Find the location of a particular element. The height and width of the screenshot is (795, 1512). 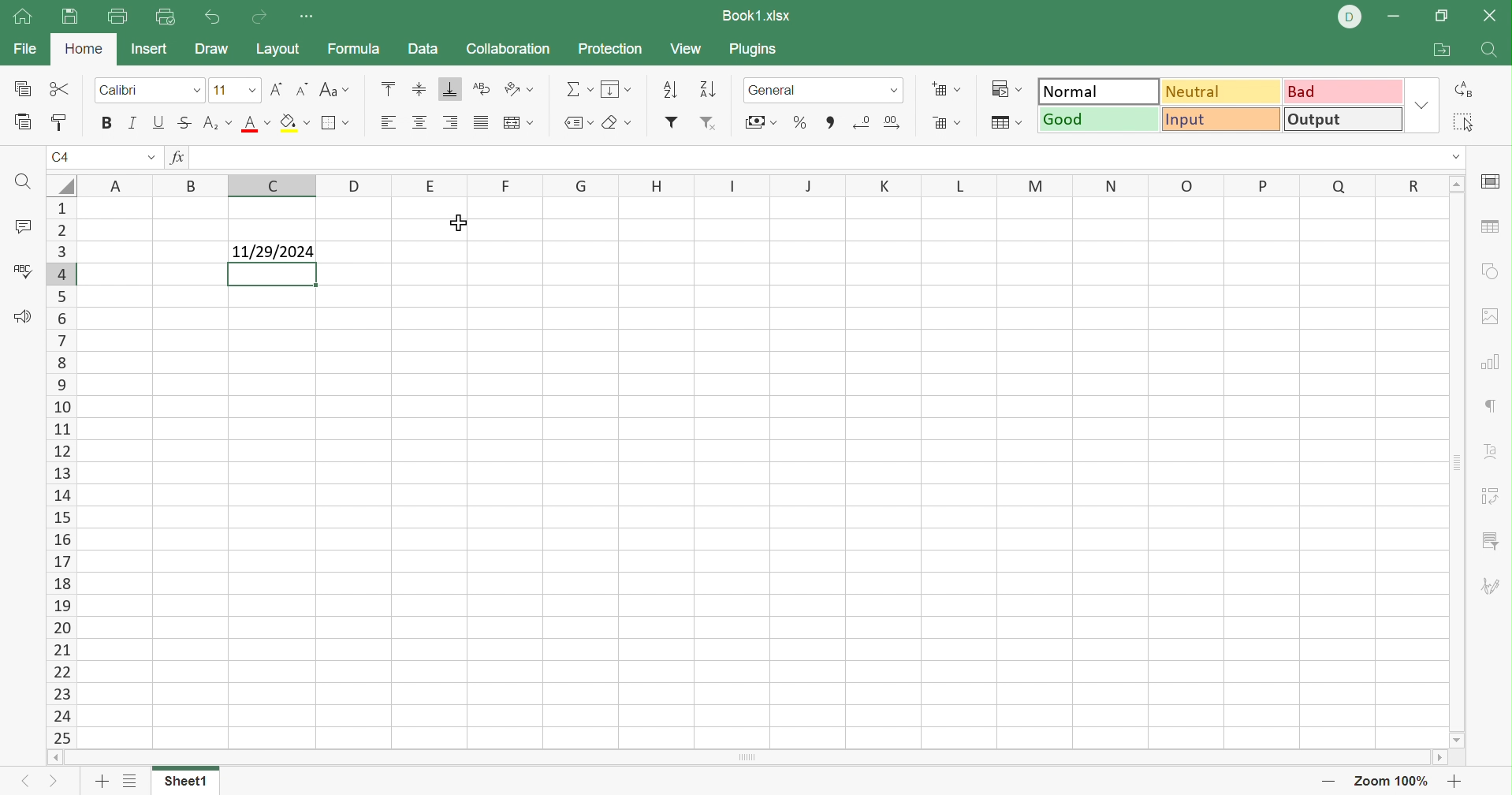

Home is located at coordinates (22, 17).